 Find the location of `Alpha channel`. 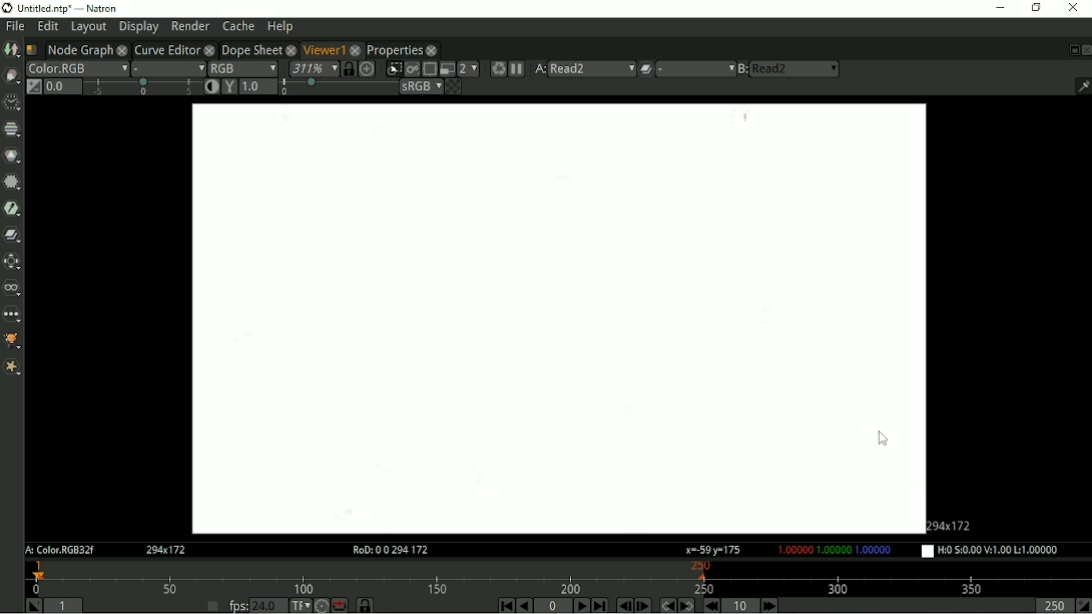

Alpha channel is located at coordinates (169, 68).